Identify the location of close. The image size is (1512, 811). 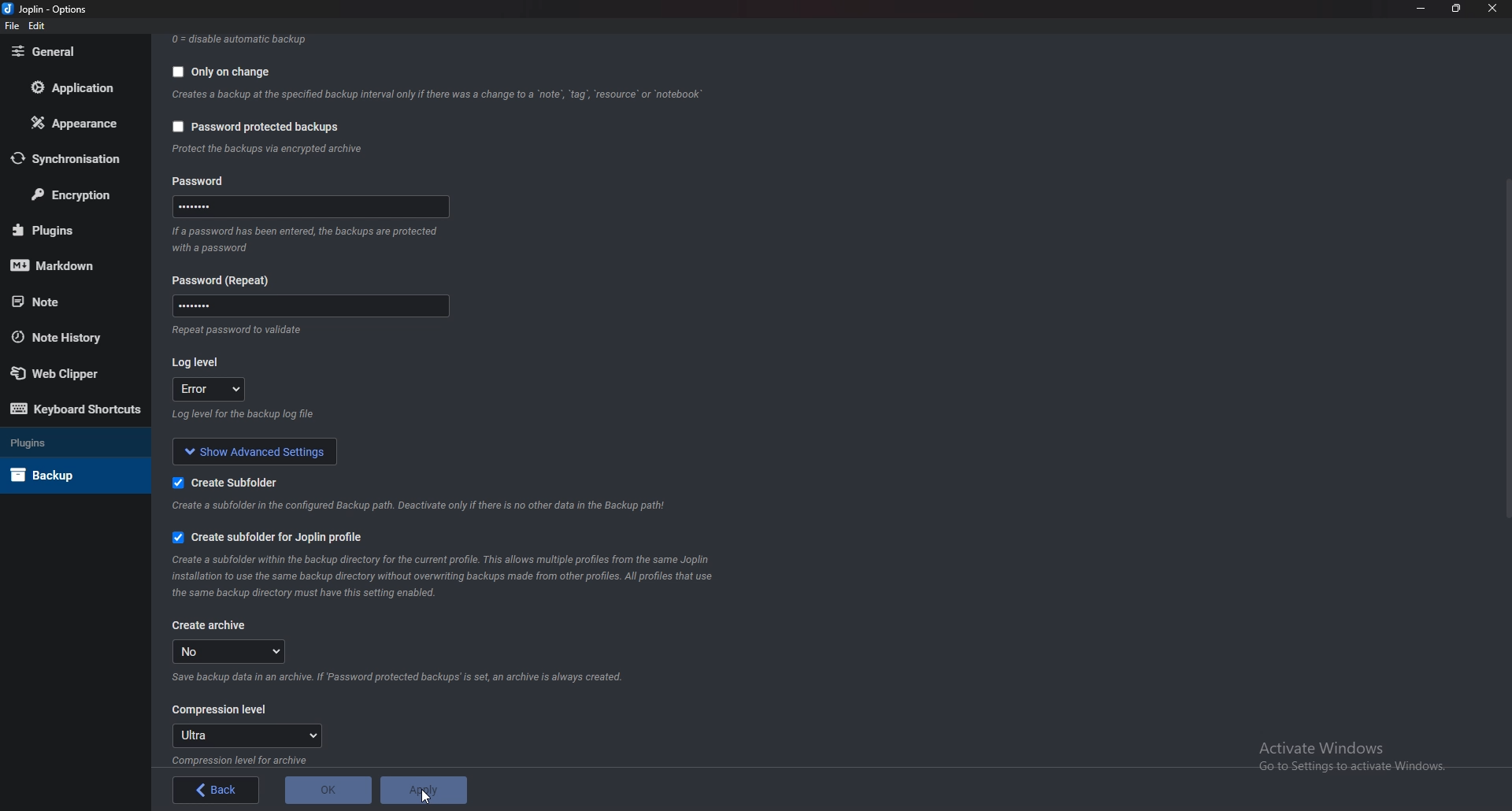
(1491, 9).